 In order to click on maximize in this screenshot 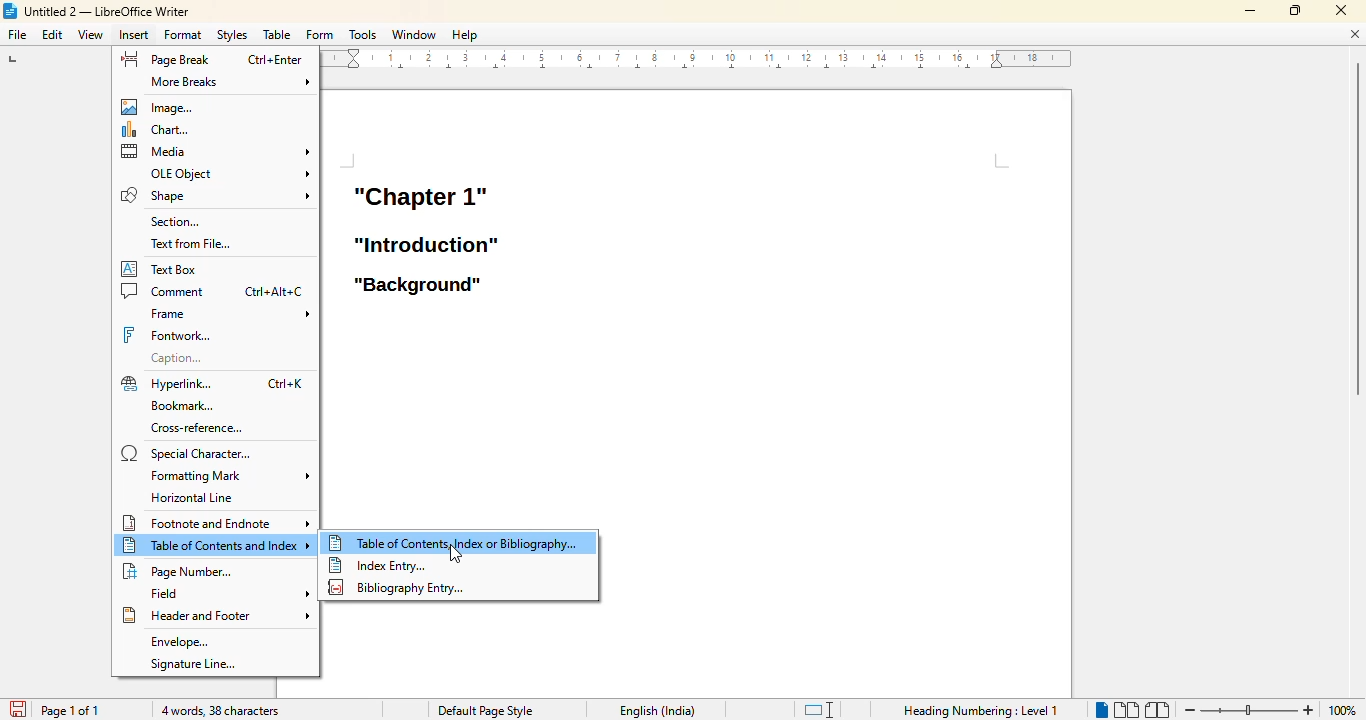, I will do `click(1294, 10)`.